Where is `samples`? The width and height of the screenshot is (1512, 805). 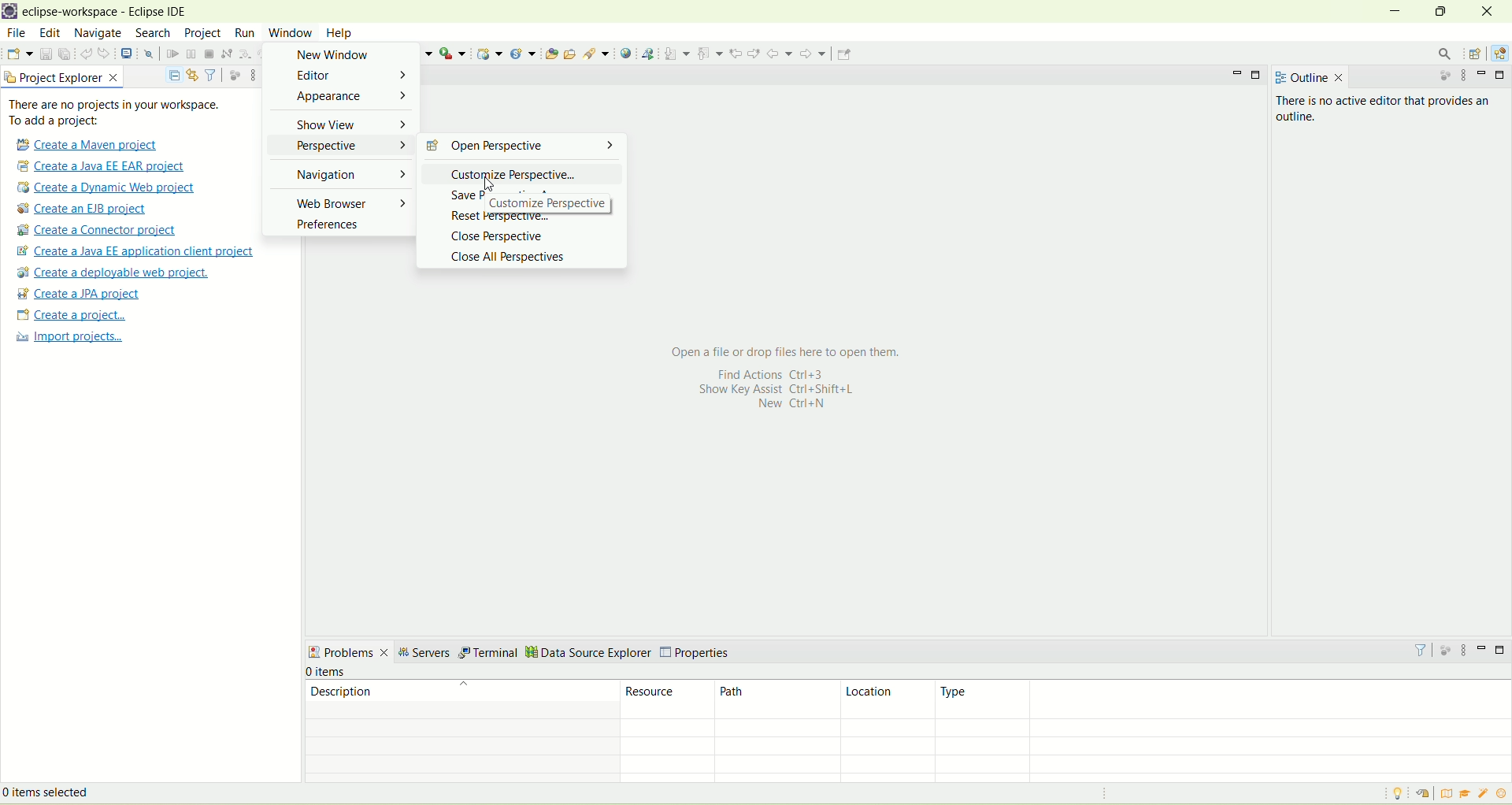 samples is located at coordinates (1484, 794).